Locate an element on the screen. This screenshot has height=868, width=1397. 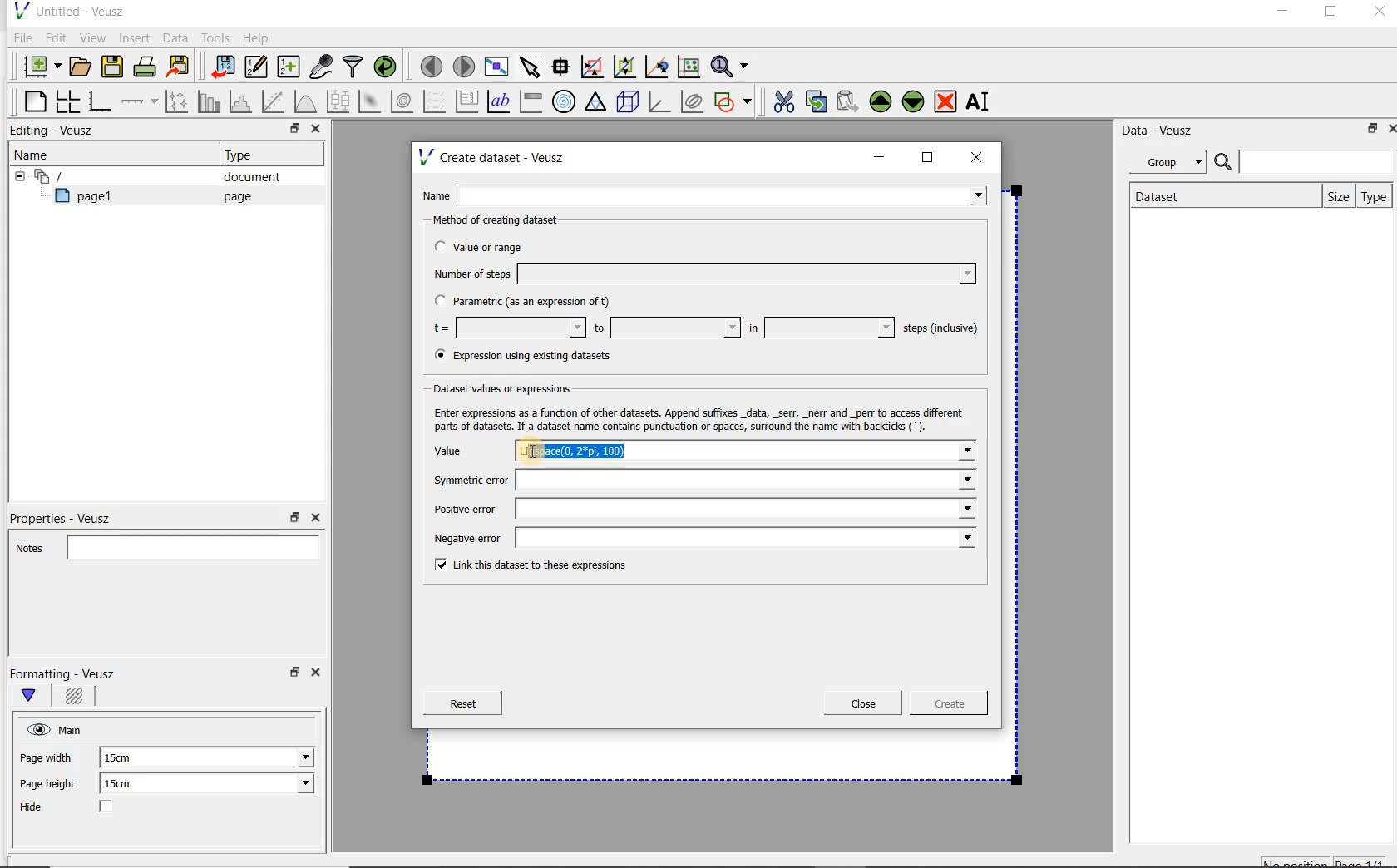
Fit a function to data is located at coordinates (275, 101).